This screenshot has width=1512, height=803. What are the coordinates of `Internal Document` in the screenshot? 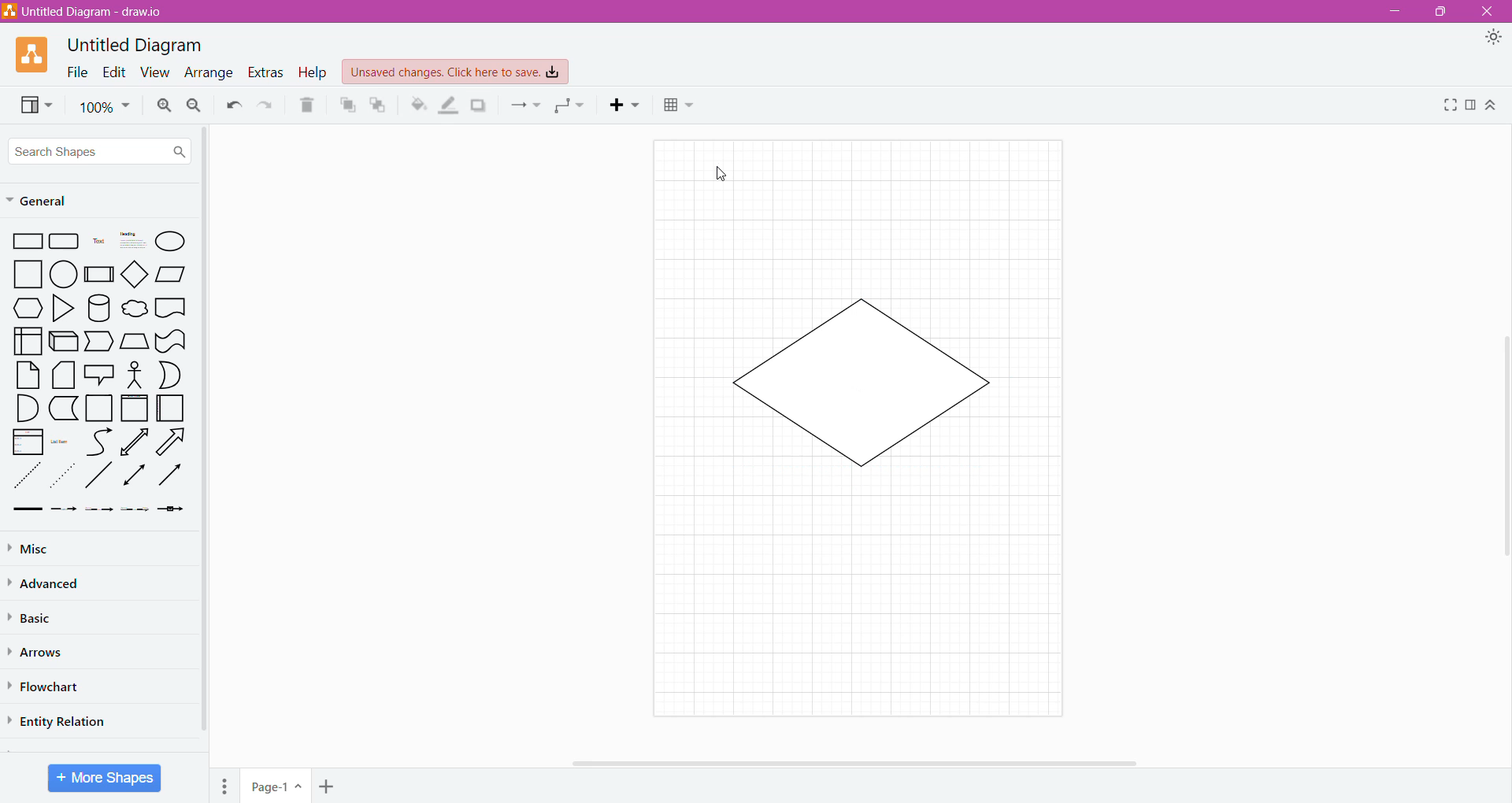 It's located at (27, 339).